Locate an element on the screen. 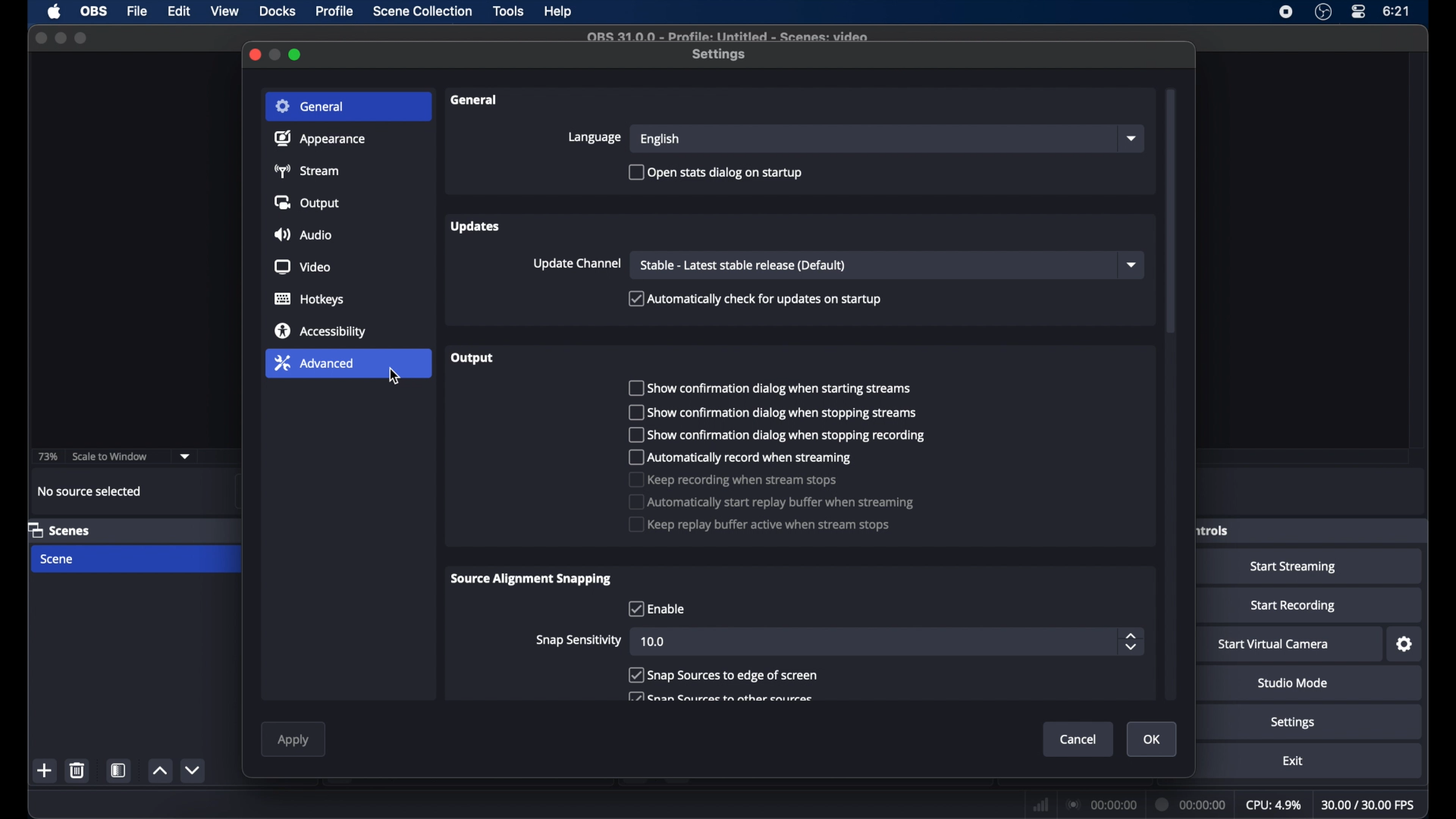  delete is located at coordinates (77, 770).